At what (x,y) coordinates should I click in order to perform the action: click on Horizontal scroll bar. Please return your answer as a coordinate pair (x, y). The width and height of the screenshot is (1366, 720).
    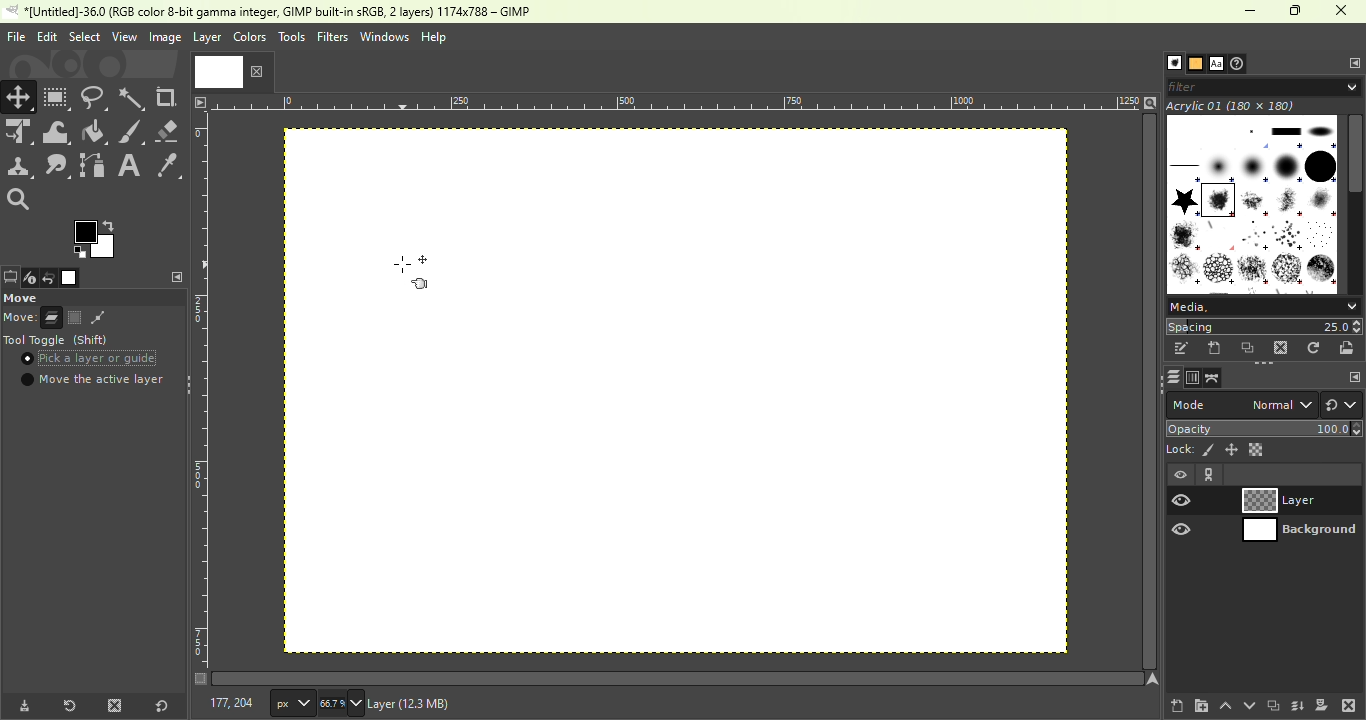
    Looking at the image, I should click on (1356, 204).